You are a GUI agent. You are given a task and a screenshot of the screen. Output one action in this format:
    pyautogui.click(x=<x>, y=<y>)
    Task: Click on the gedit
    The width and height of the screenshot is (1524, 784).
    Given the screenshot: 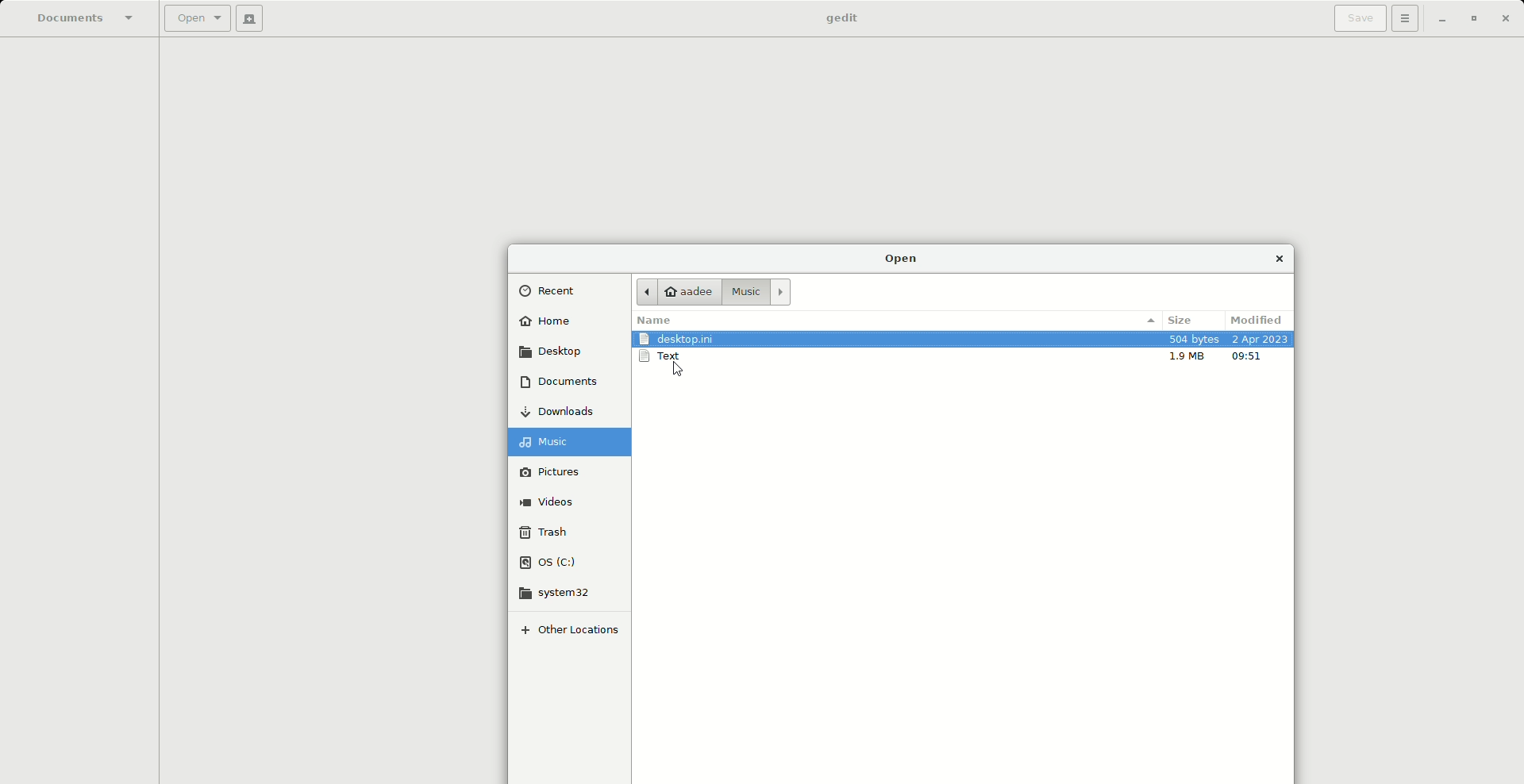 What is the action you would take?
    pyautogui.click(x=837, y=19)
    